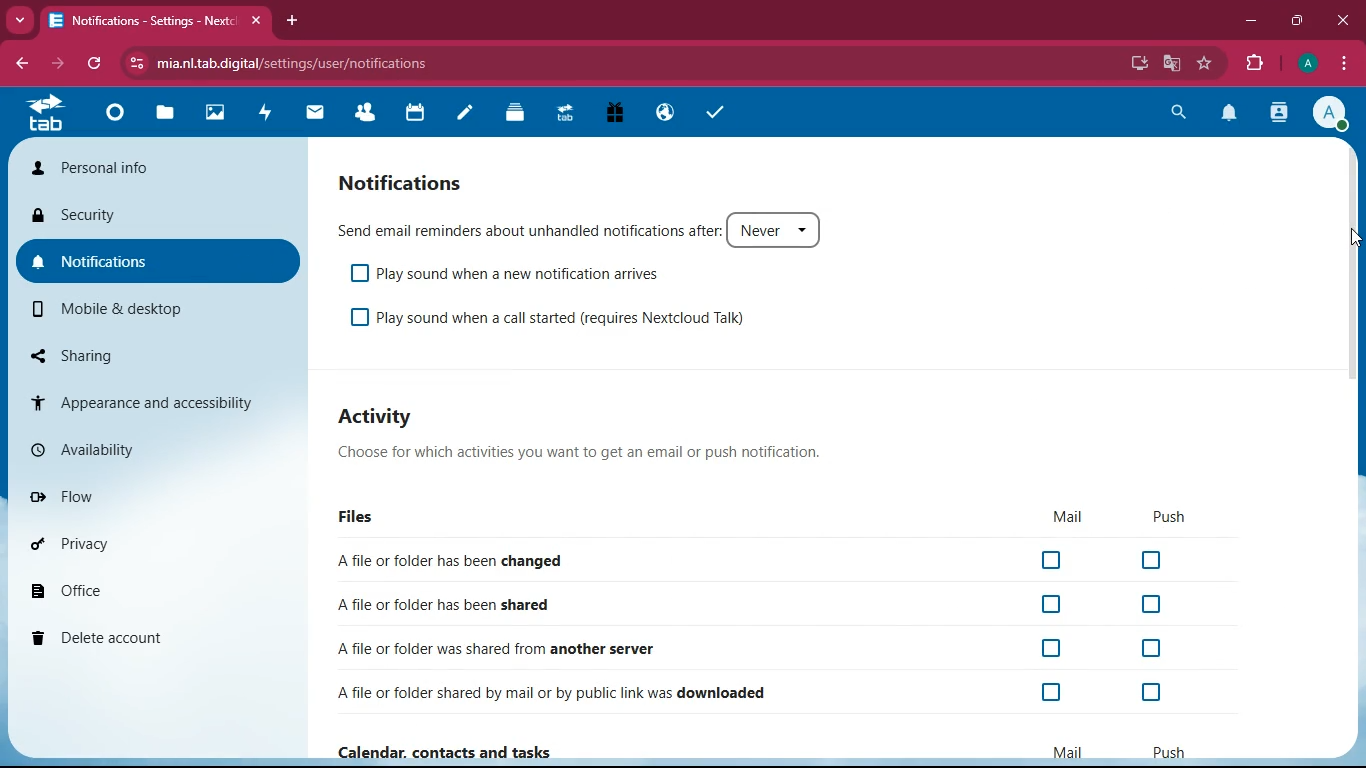  What do you see at coordinates (1330, 114) in the screenshot?
I see `profile` at bounding box center [1330, 114].